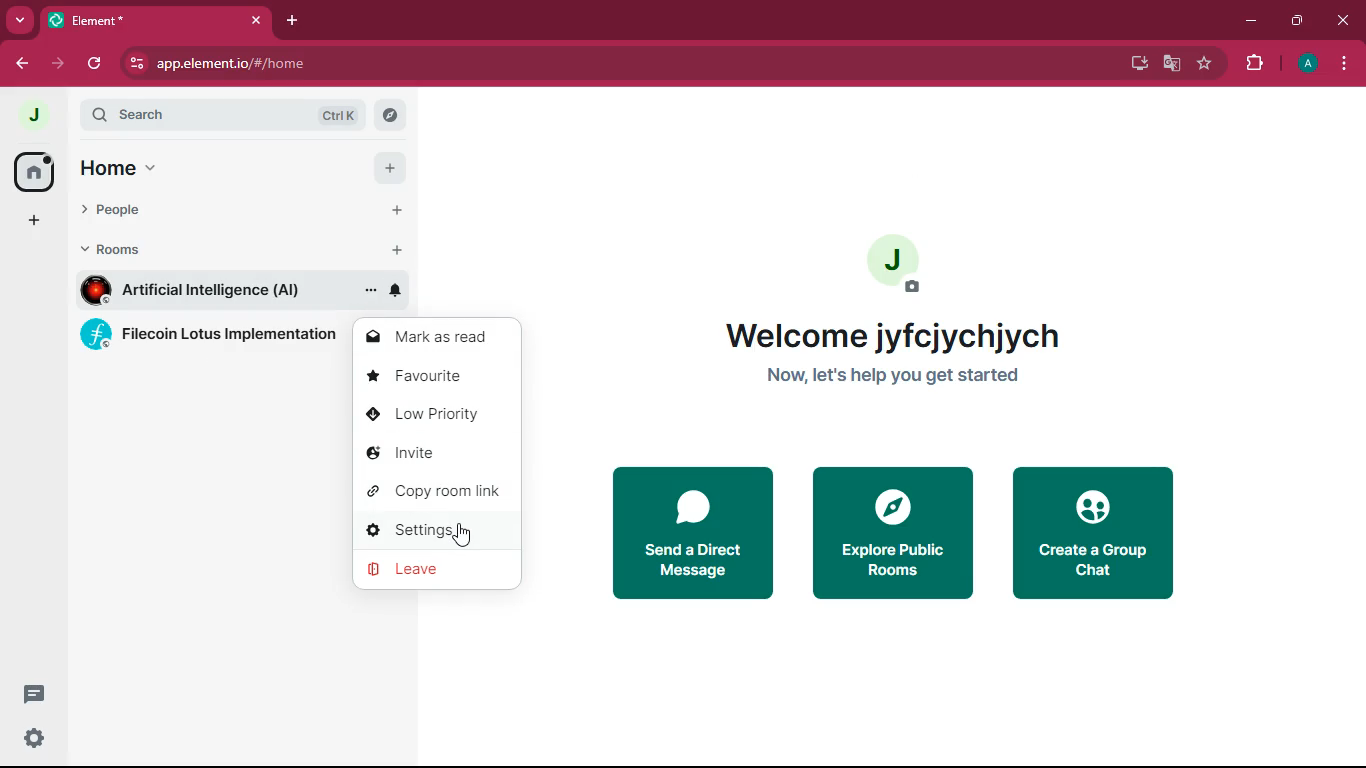 The height and width of the screenshot is (768, 1366). Describe the element at coordinates (890, 531) in the screenshot. I see `explore public rooms` at that location.